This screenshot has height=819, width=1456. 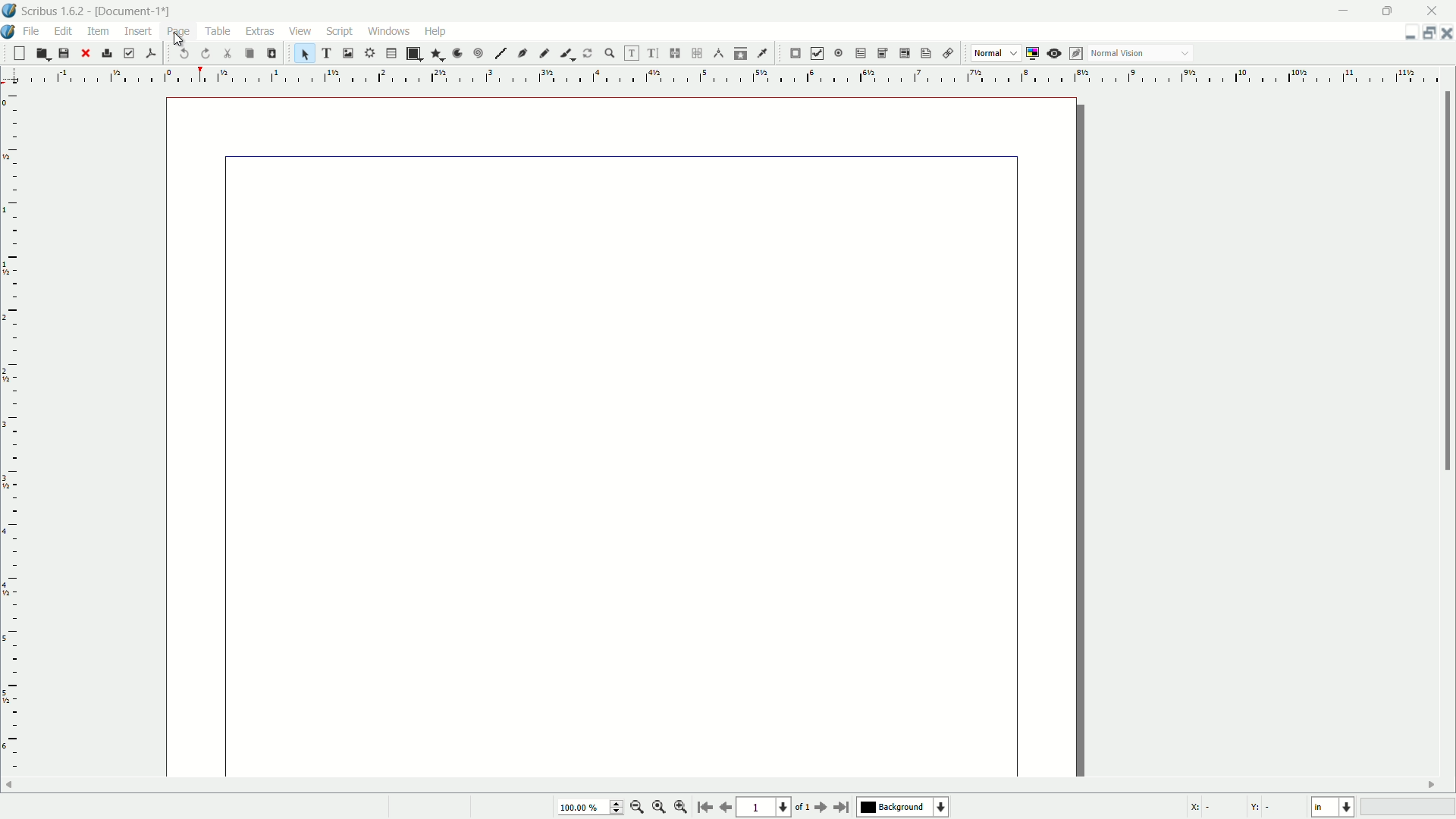 What do you see at coordinates (228, 53) in the screenshot?
I see `cut` at bounding box center [228, 53].